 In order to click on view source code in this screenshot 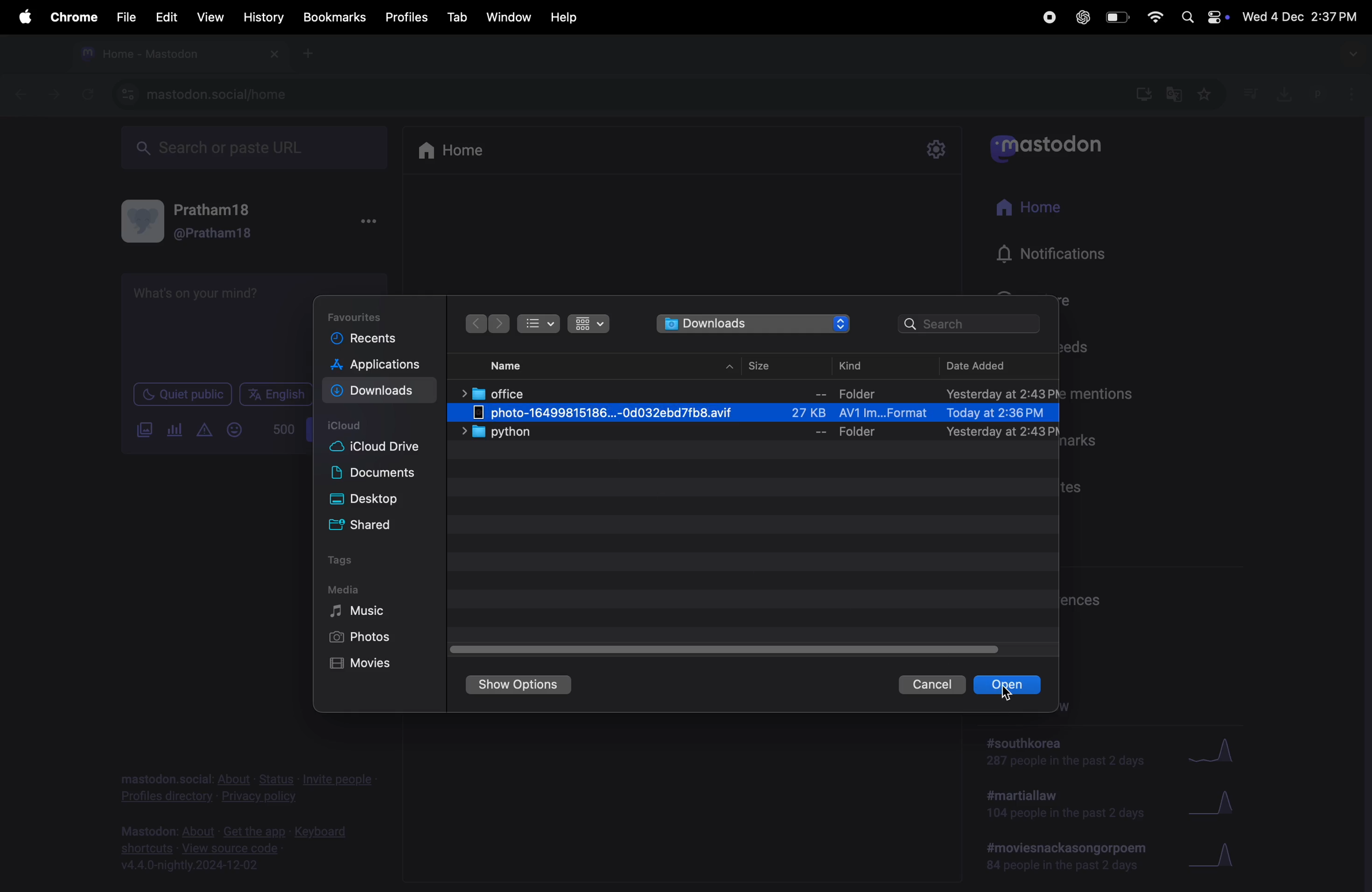, I will do `click(240, 848)`.